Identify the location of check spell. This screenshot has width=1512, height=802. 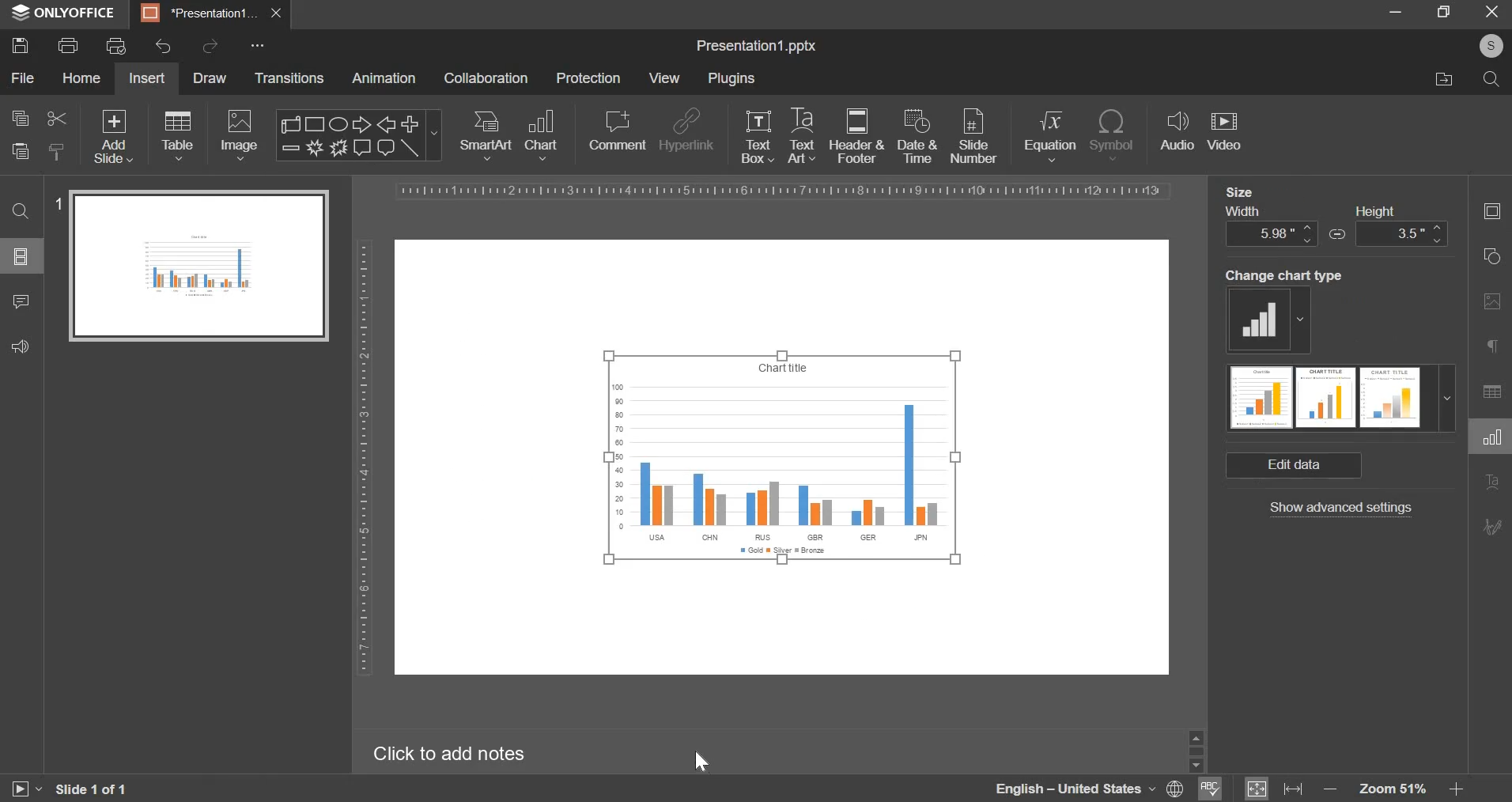
(1208, 790).